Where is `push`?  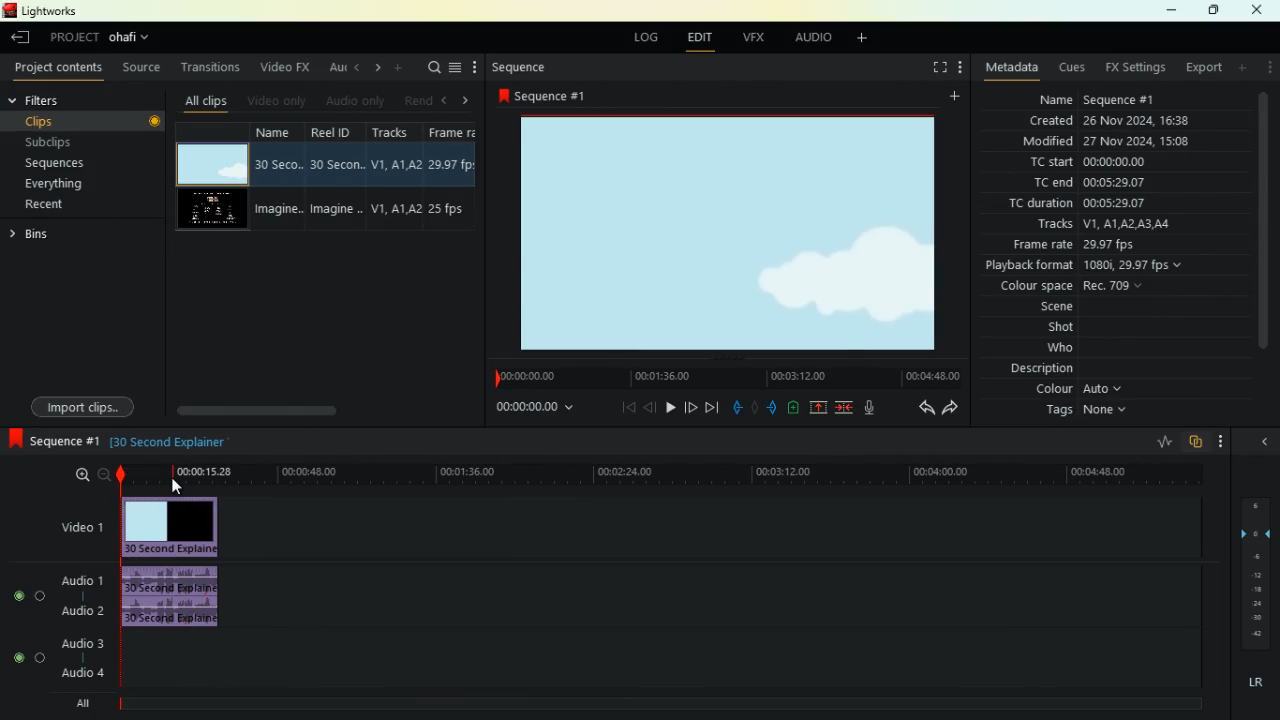 push is located at coordinates (771, 407).